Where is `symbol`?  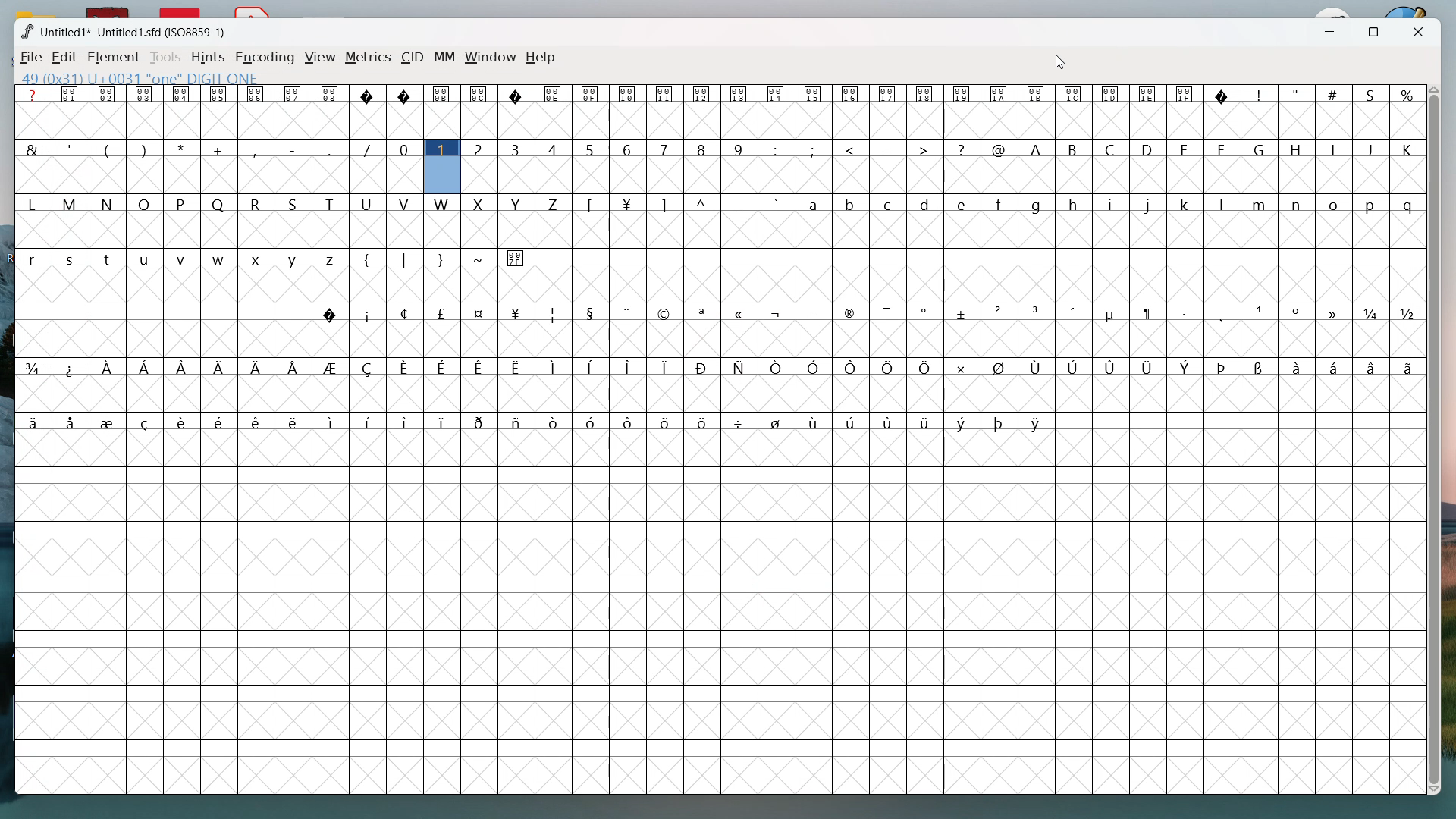 symbol is located at coordinates (816, 93).